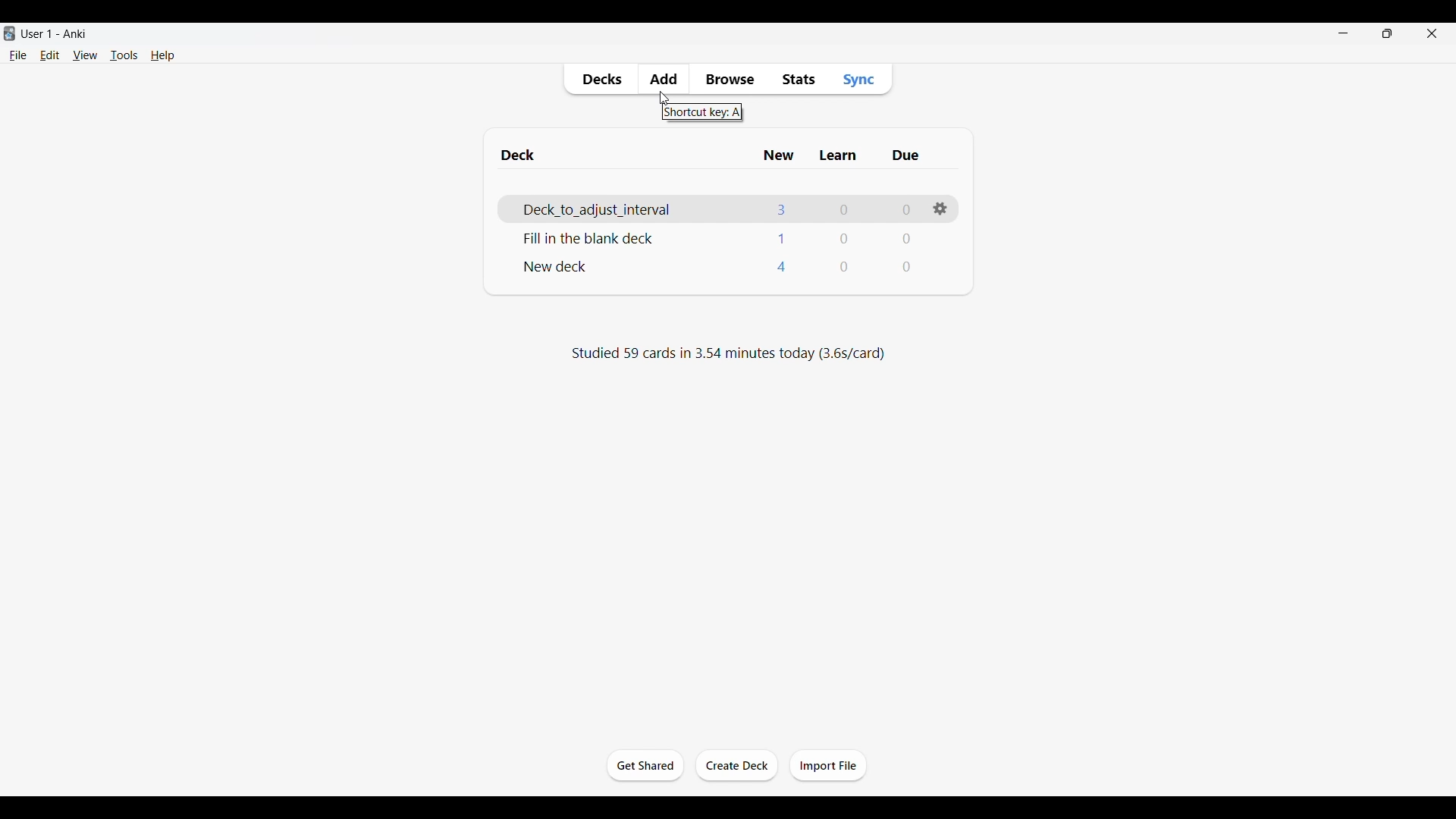 The height and width of the screenshot is (819, 1456). I want to click on Tools menu, so click(124, 55).